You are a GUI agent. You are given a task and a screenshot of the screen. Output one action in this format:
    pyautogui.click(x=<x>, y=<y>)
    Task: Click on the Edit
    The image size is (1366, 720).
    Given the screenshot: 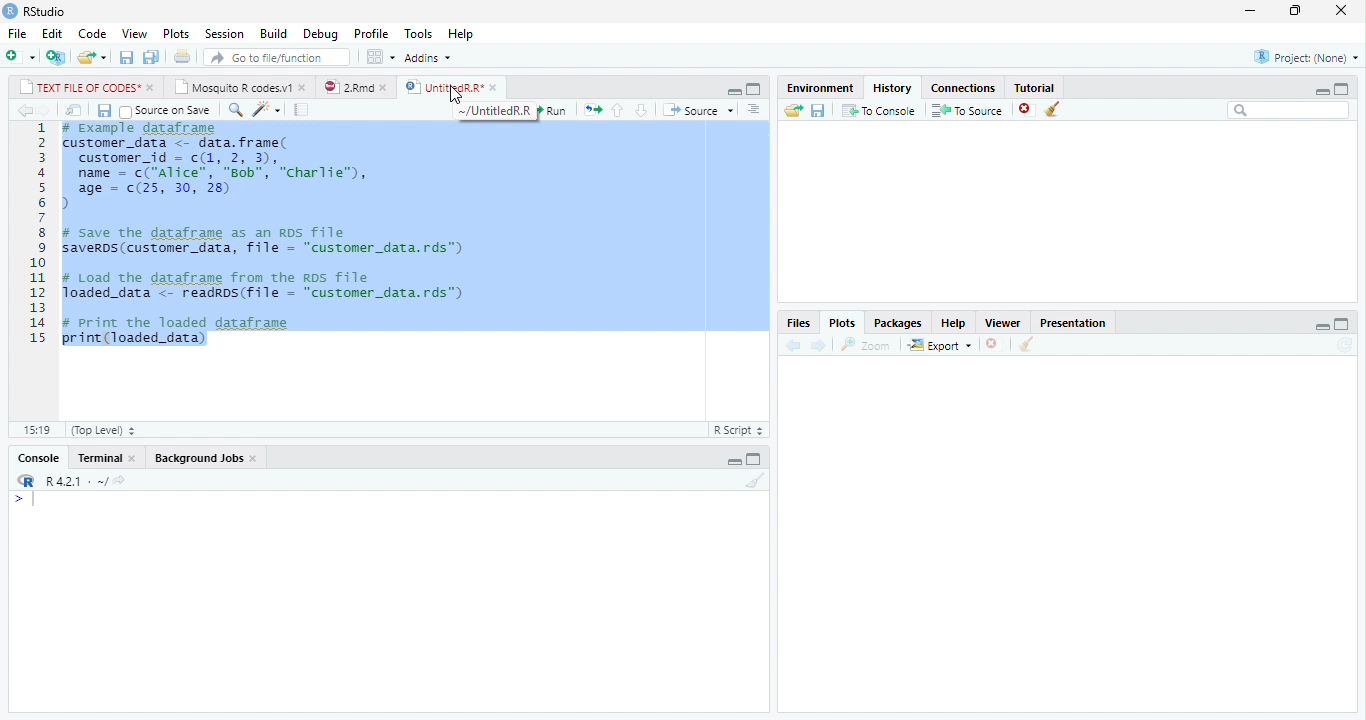 What is the action you would take?
    pyautogui.click(x=52, y=34)
    